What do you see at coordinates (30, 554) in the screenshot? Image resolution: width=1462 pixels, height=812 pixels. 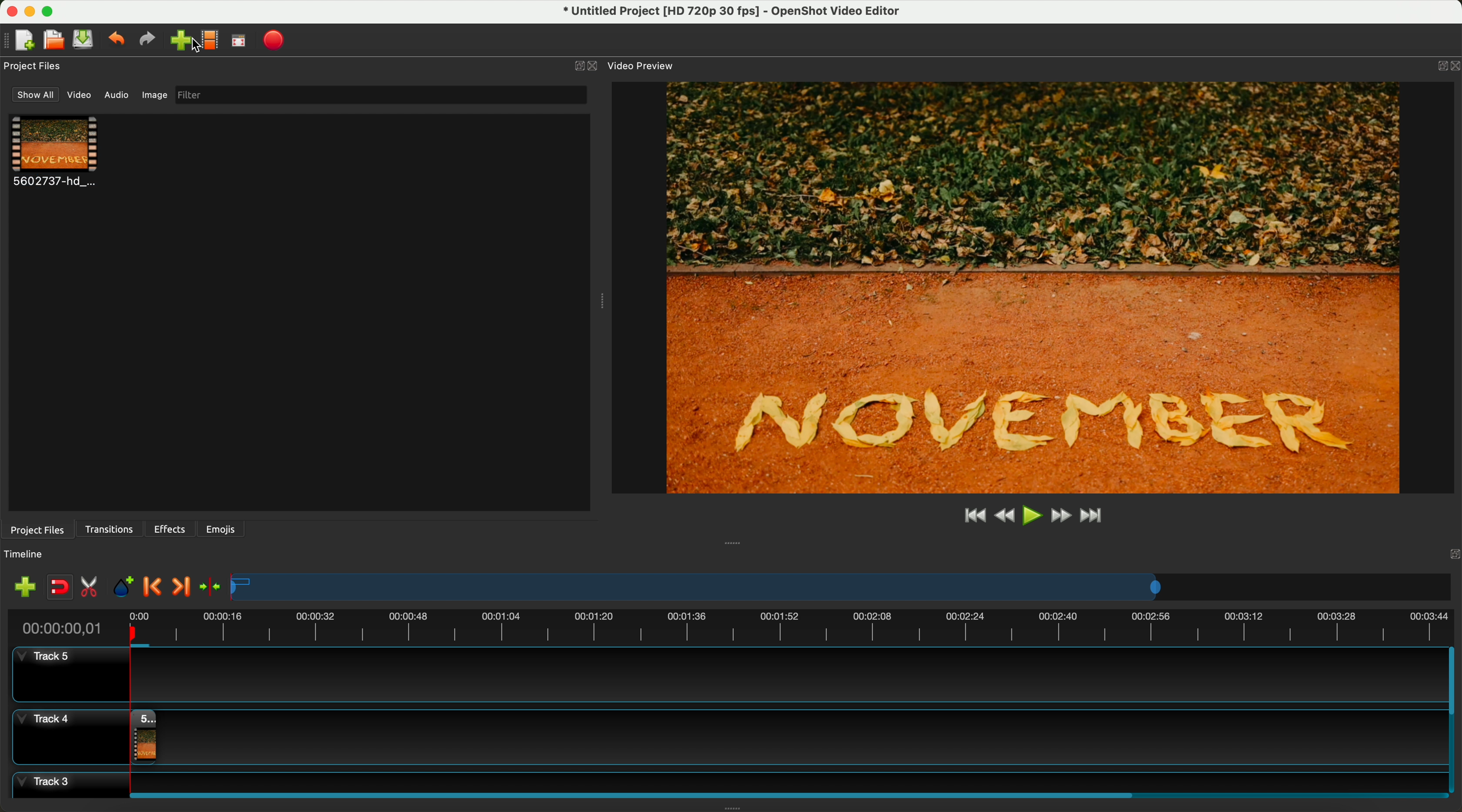 I see `timeline` at bounding box center [30, 554].